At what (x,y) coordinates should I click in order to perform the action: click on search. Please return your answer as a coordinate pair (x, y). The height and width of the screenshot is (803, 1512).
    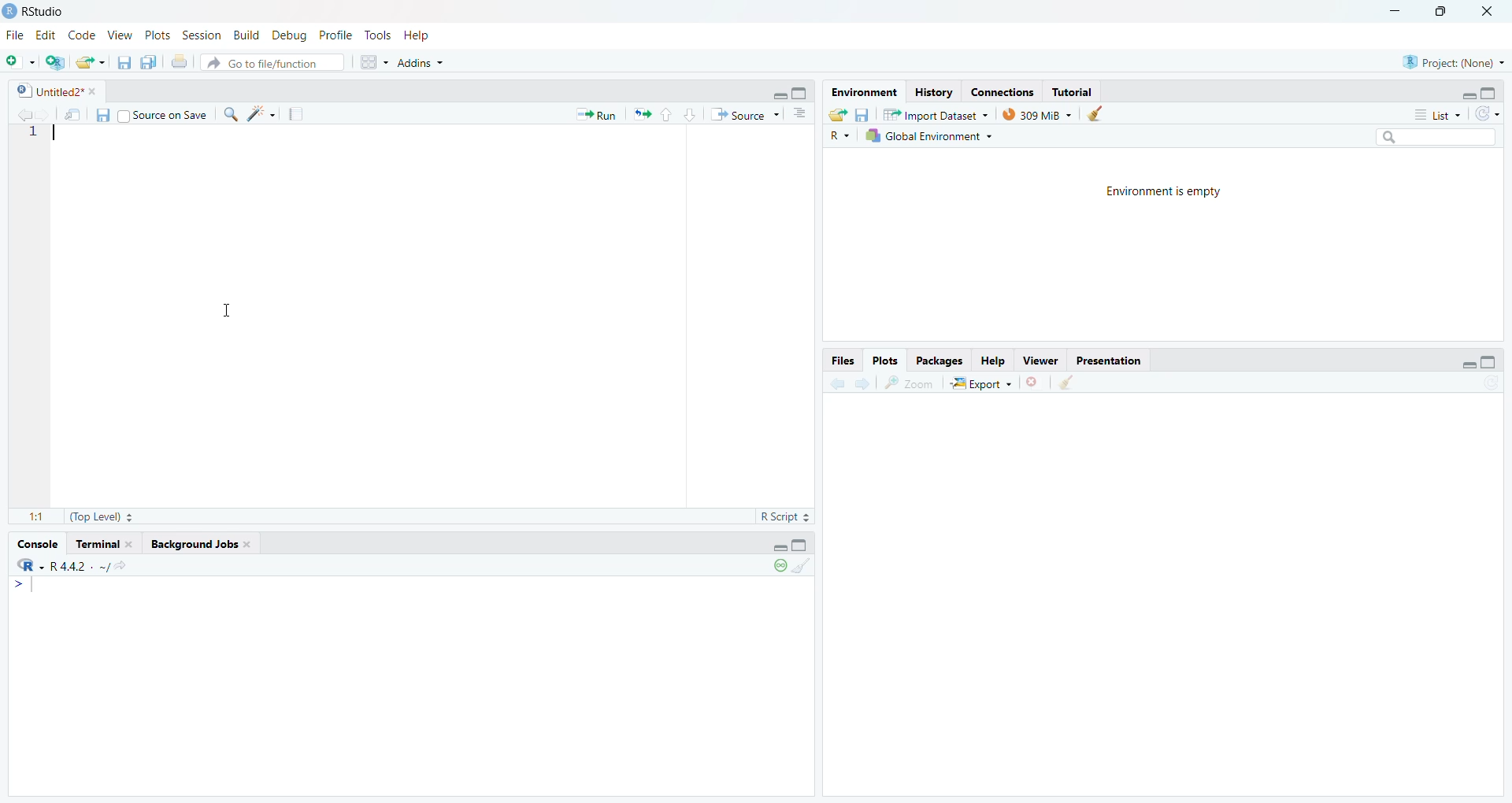
    Looking at the image, I should click on (235, 114).